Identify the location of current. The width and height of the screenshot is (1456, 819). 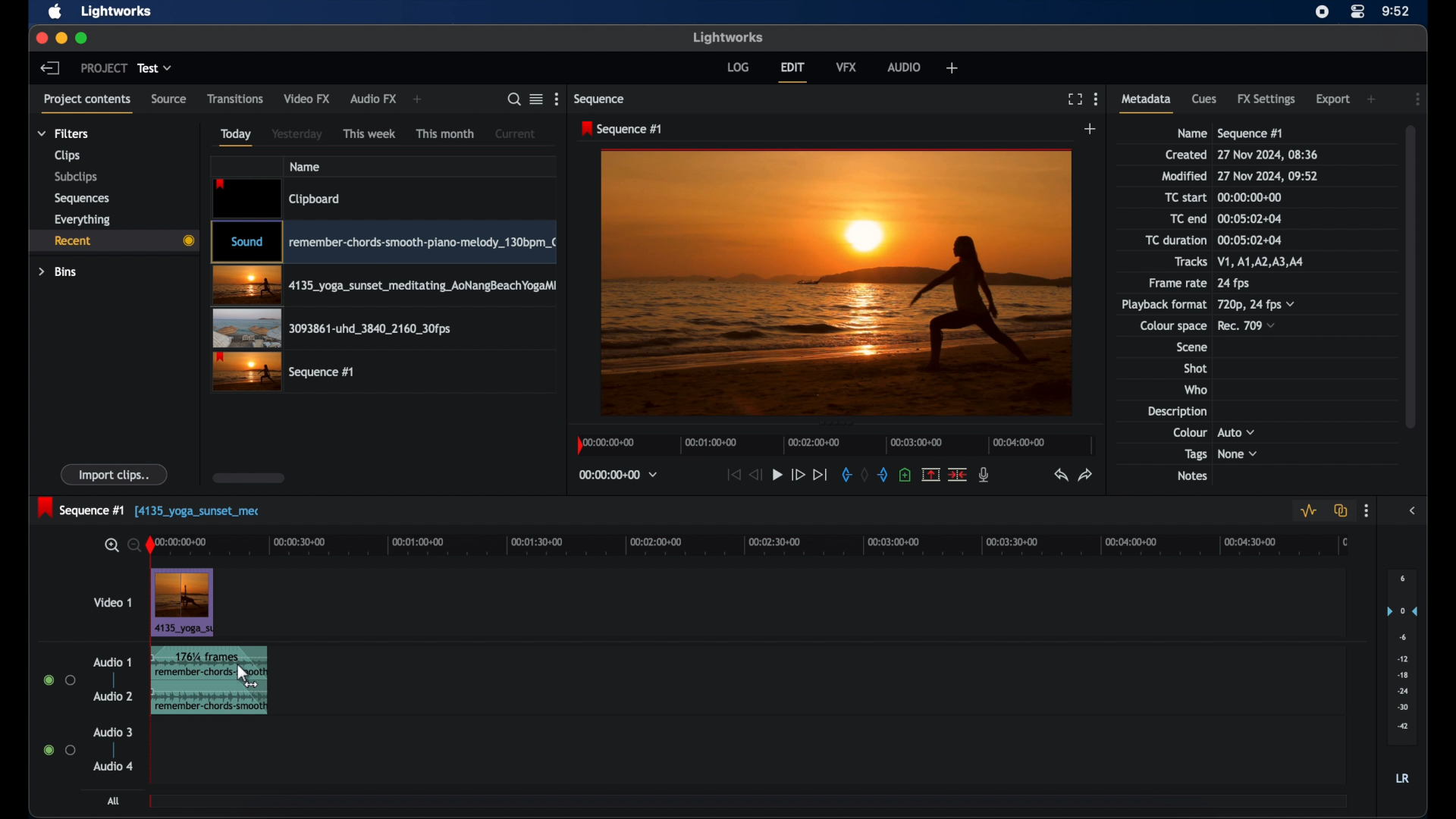
(517, 133).